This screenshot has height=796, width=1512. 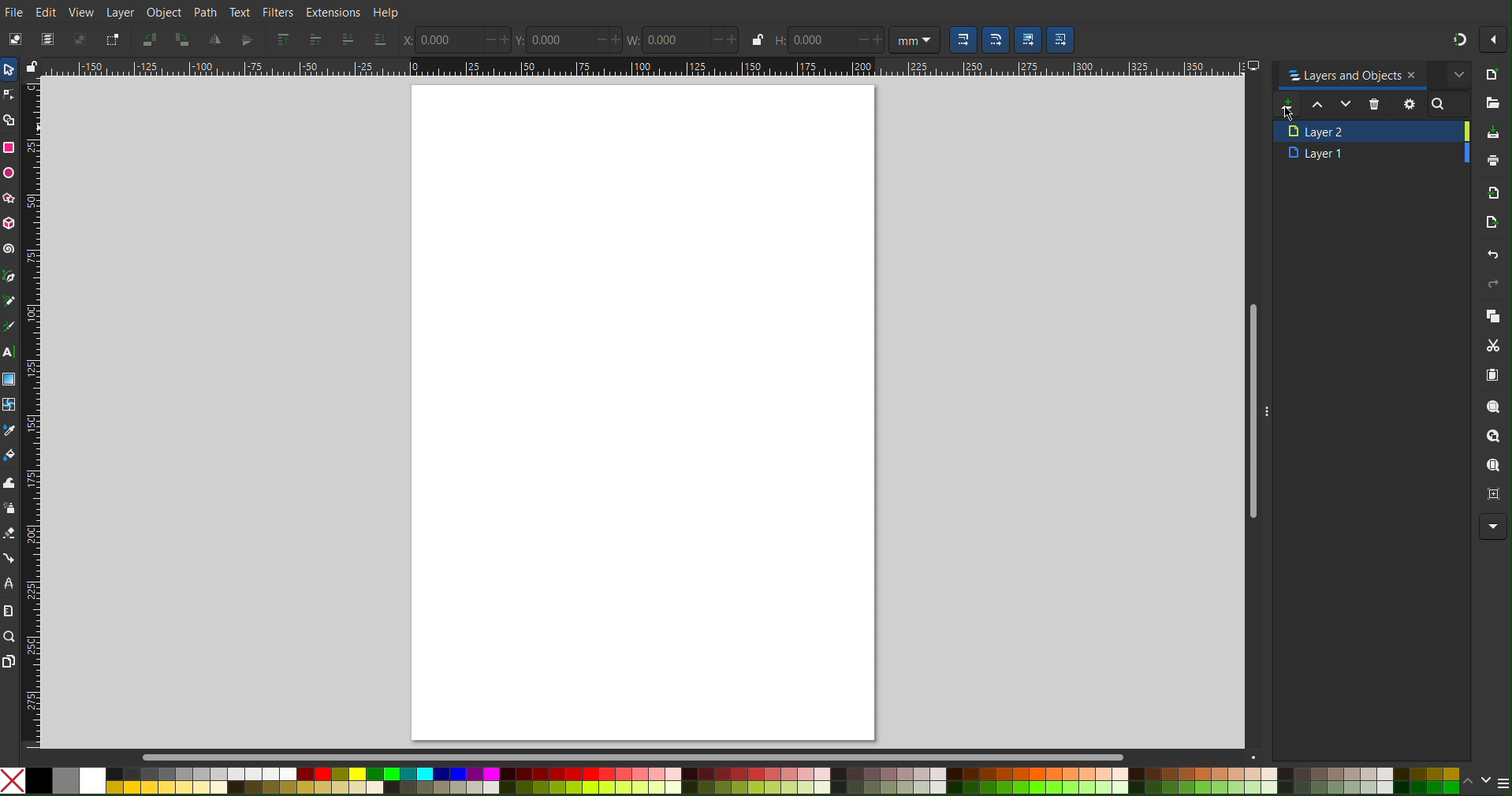 I want to click on Calligraphy Tool, so click(x=13, y=324).